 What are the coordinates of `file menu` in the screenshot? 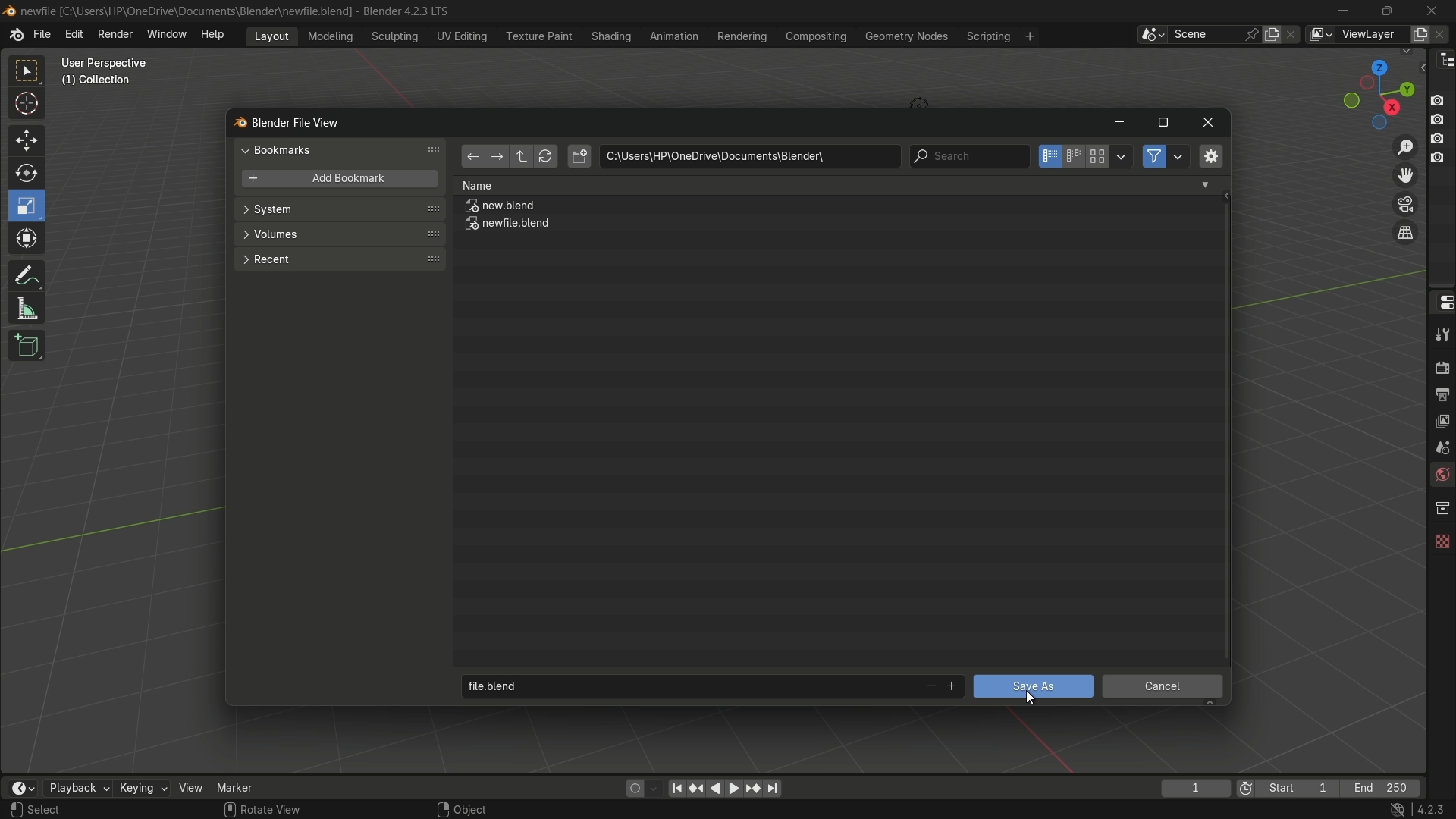 It's located at (42, 35).